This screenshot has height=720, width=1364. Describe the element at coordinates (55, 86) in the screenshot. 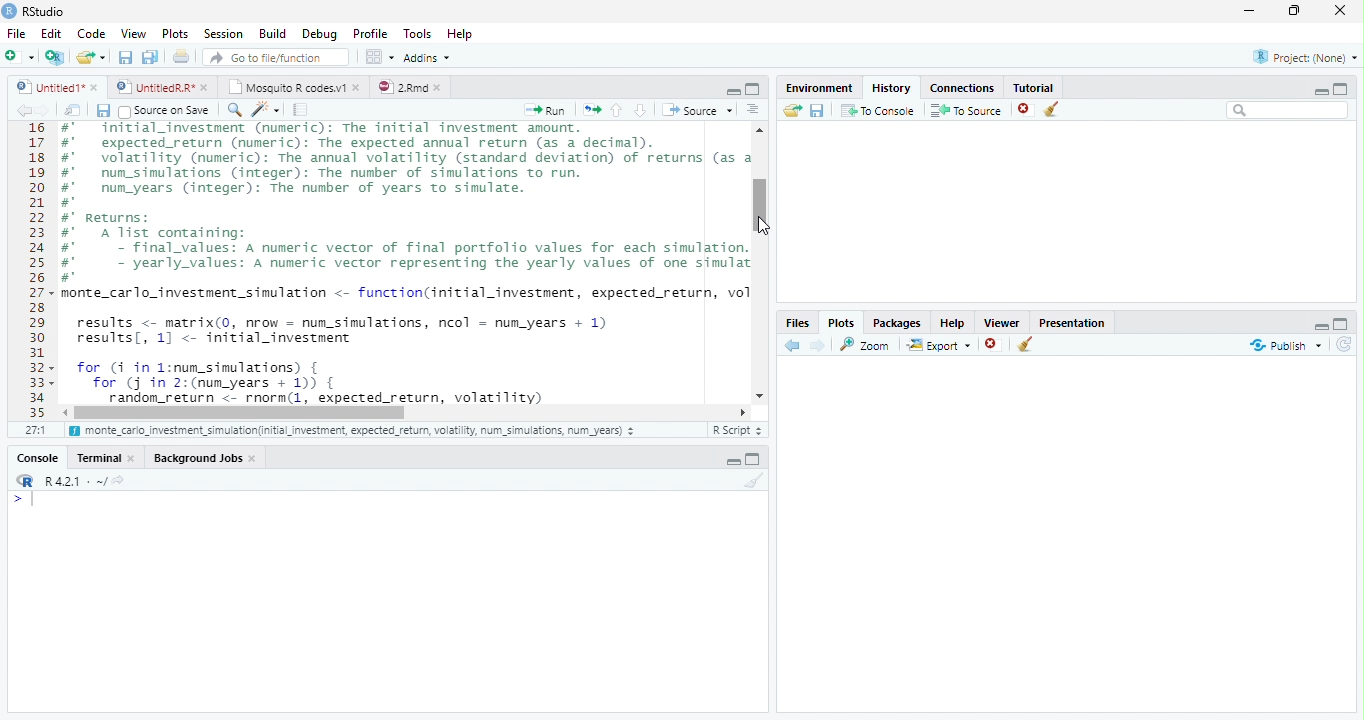

I see `Untited1*` at that location.